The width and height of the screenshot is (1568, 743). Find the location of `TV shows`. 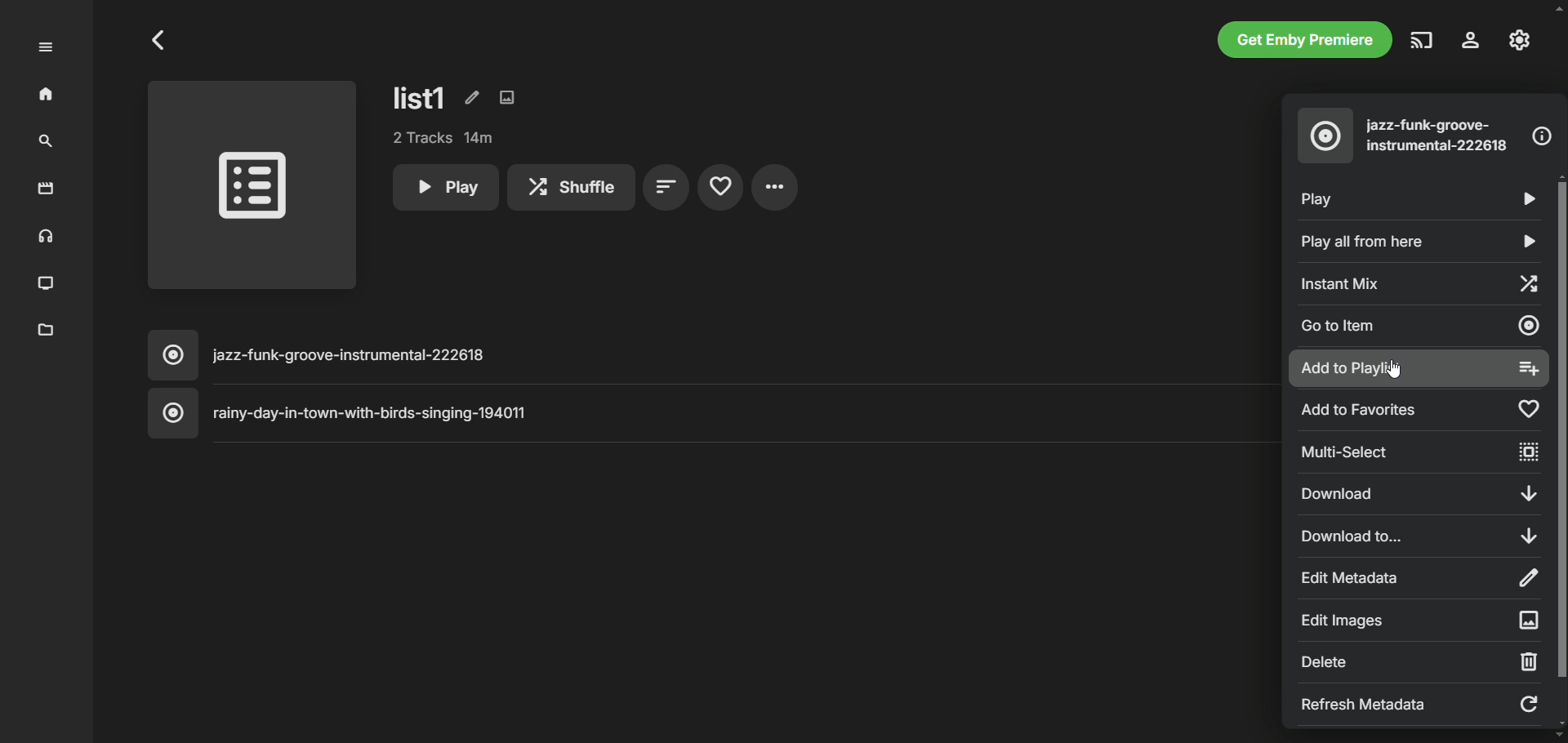

TV shows is located at coordinates (47, 284).